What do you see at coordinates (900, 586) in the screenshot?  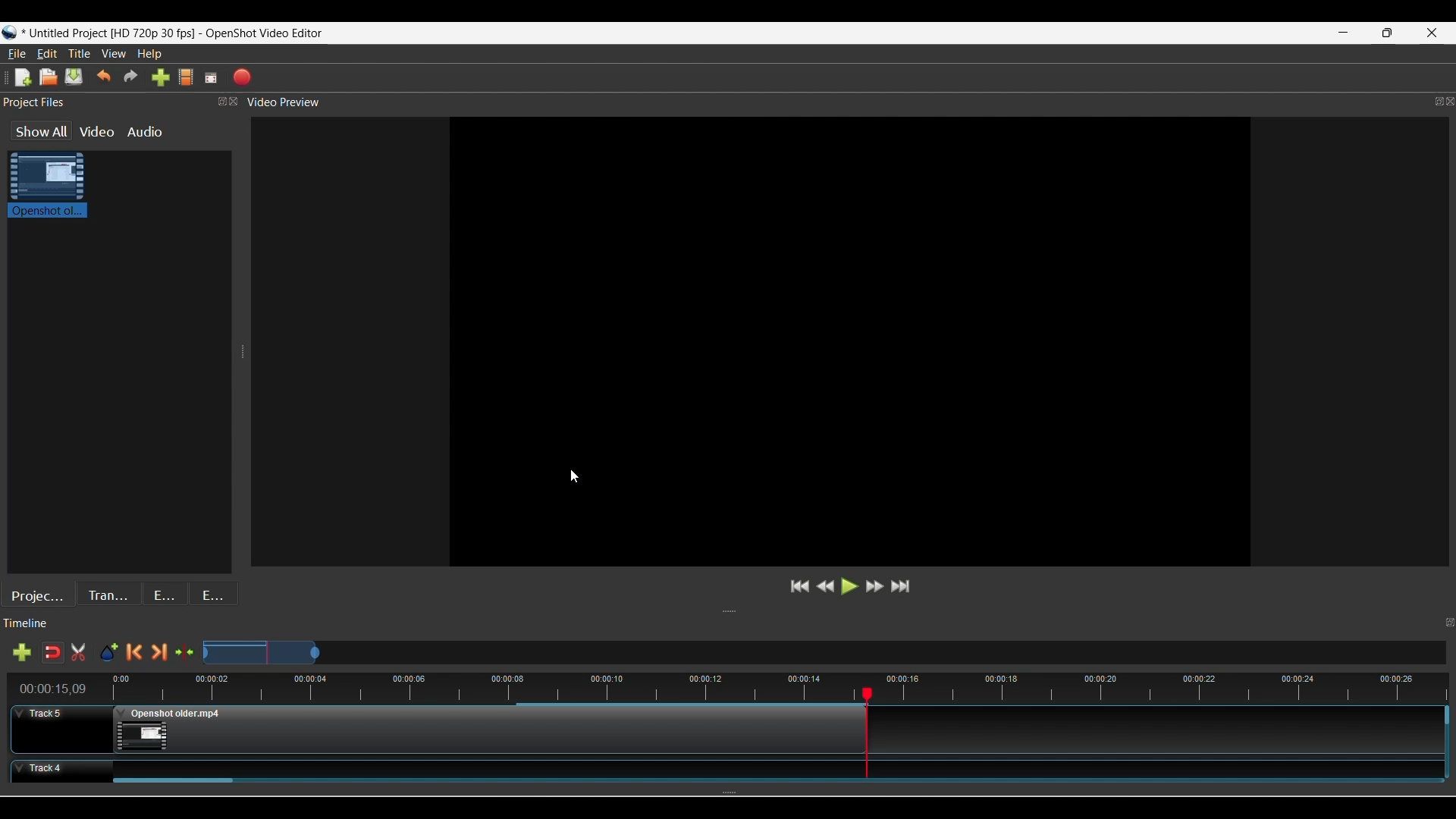 I see `Jump to end` at bounding box center [900, 586].